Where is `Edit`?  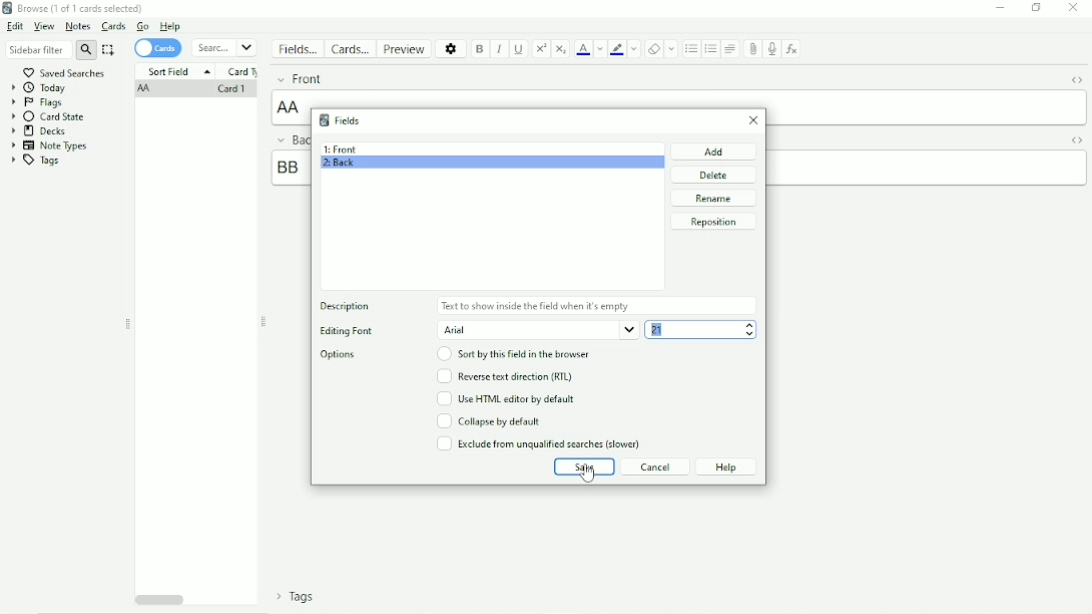 Edit is located at coordinates (15, 26).